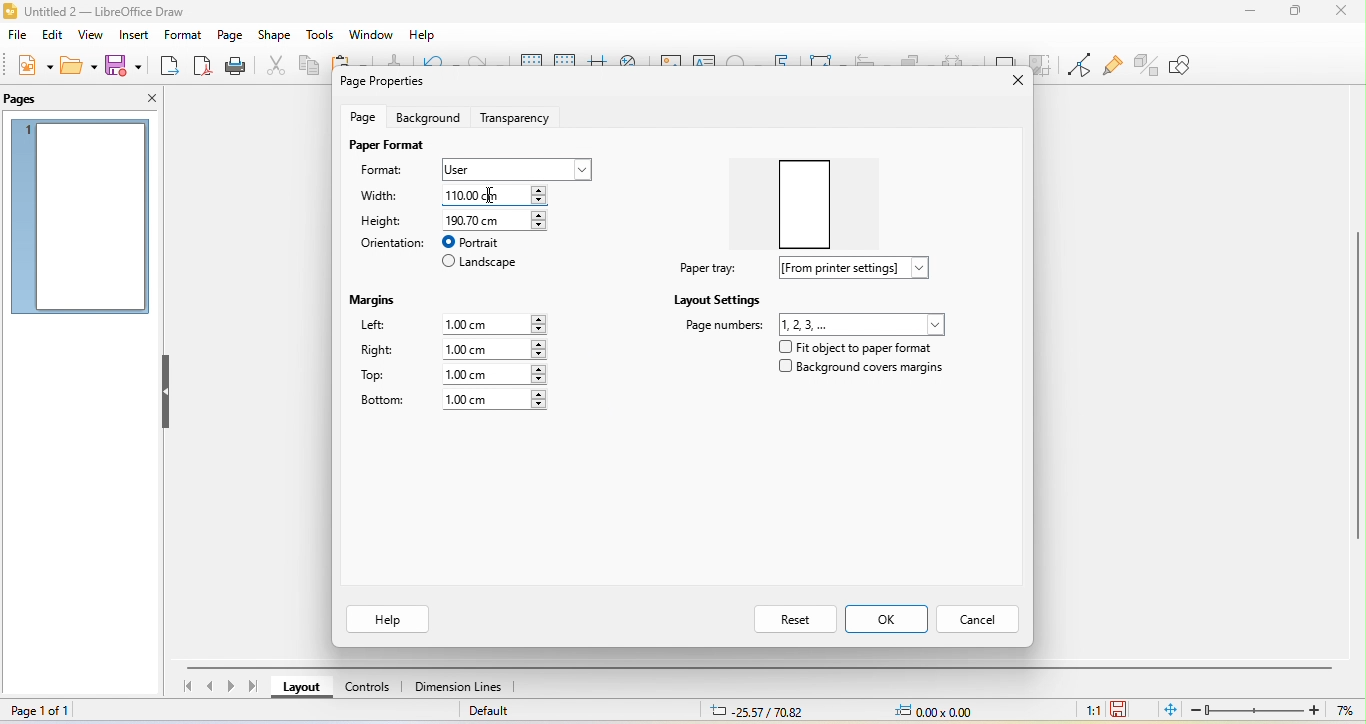 The width and height of the screenshot is (1366, 724). What do you see at coordinates (705, 268) in the screenshot?
I see `paper tray` at bounding box center [705, 268].